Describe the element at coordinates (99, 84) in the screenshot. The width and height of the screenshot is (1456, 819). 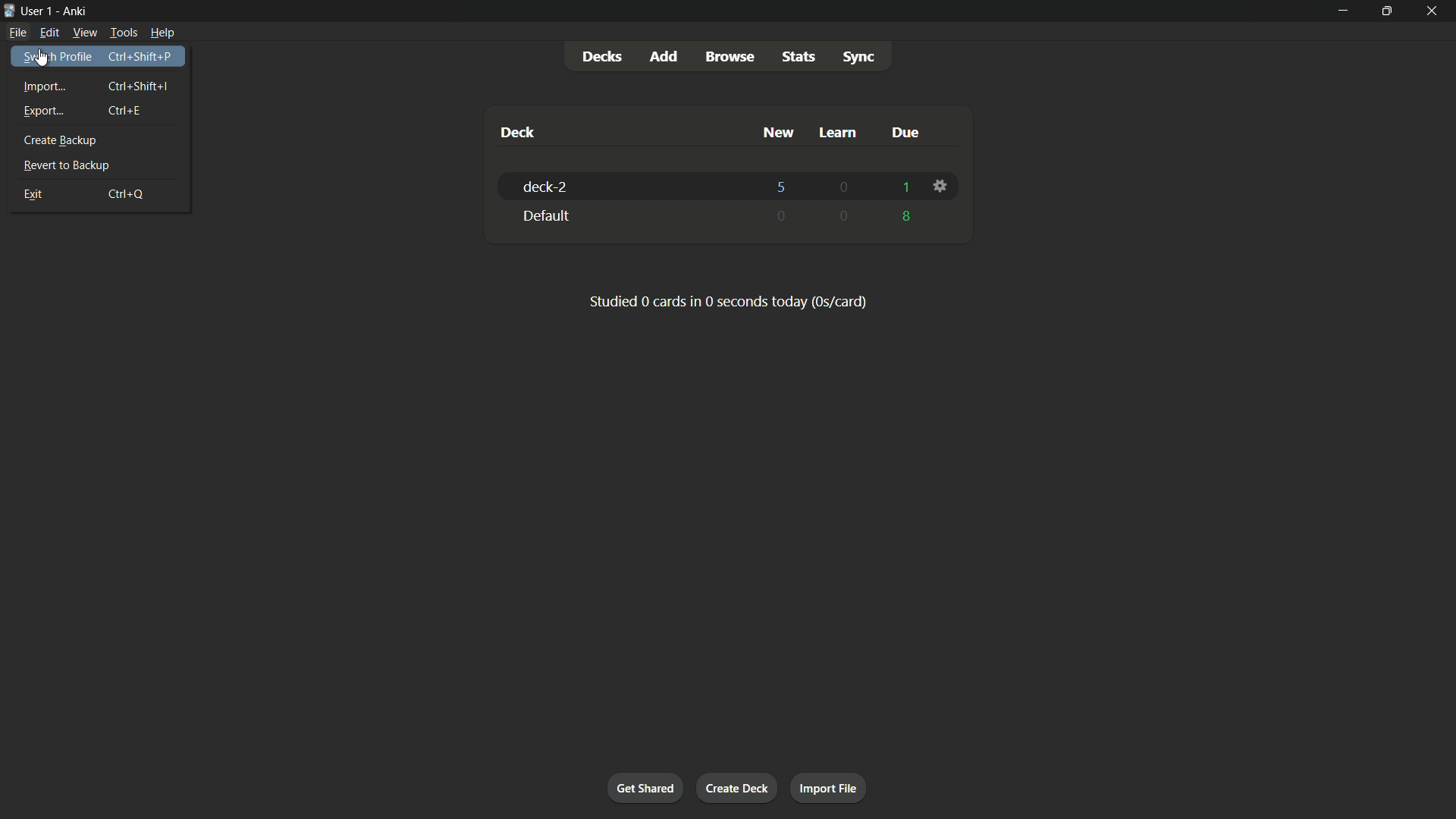
I see `Import` at that location.